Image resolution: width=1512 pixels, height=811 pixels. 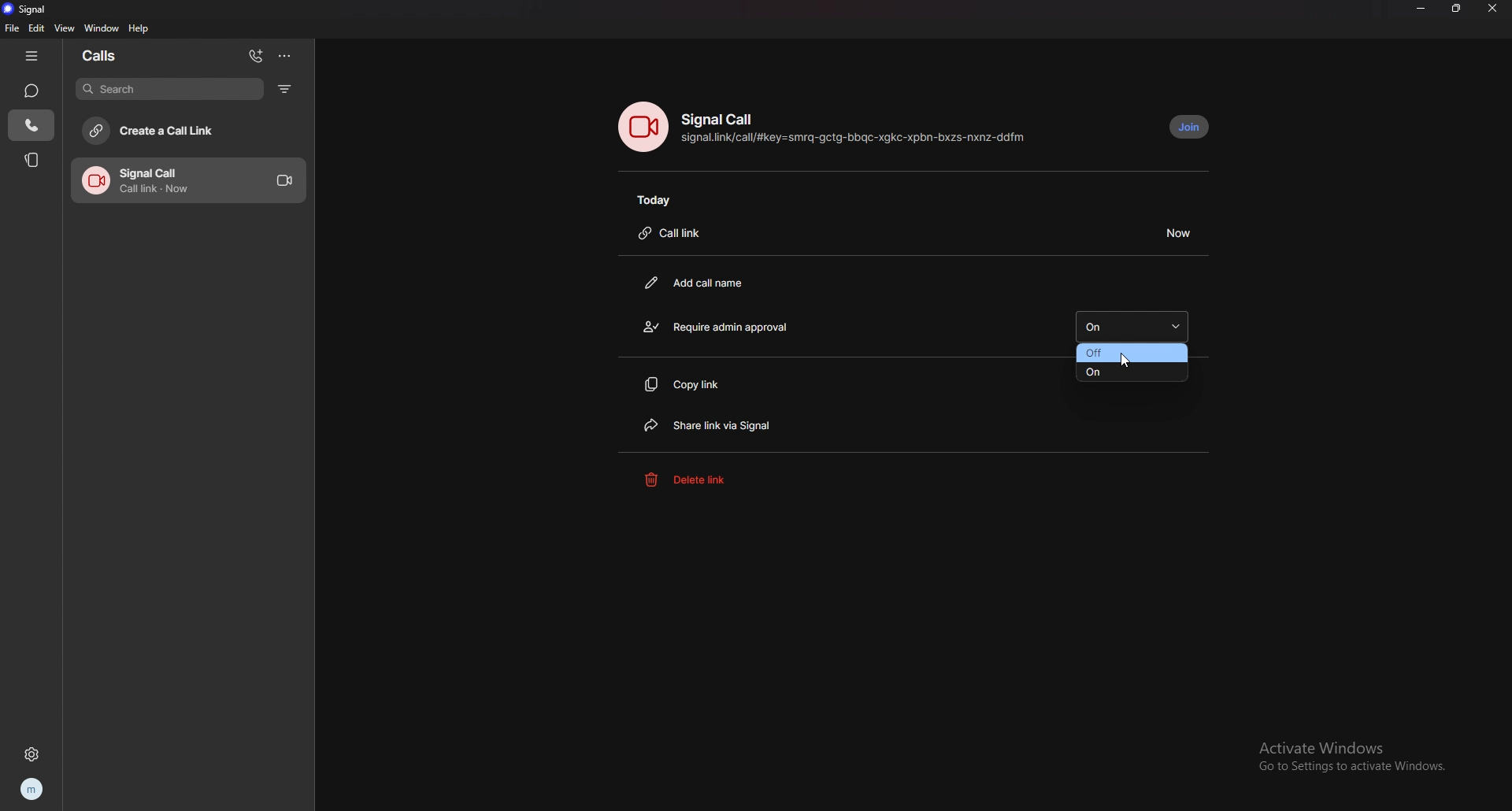 I want to click on hide tab, so click(x=32, y=55).